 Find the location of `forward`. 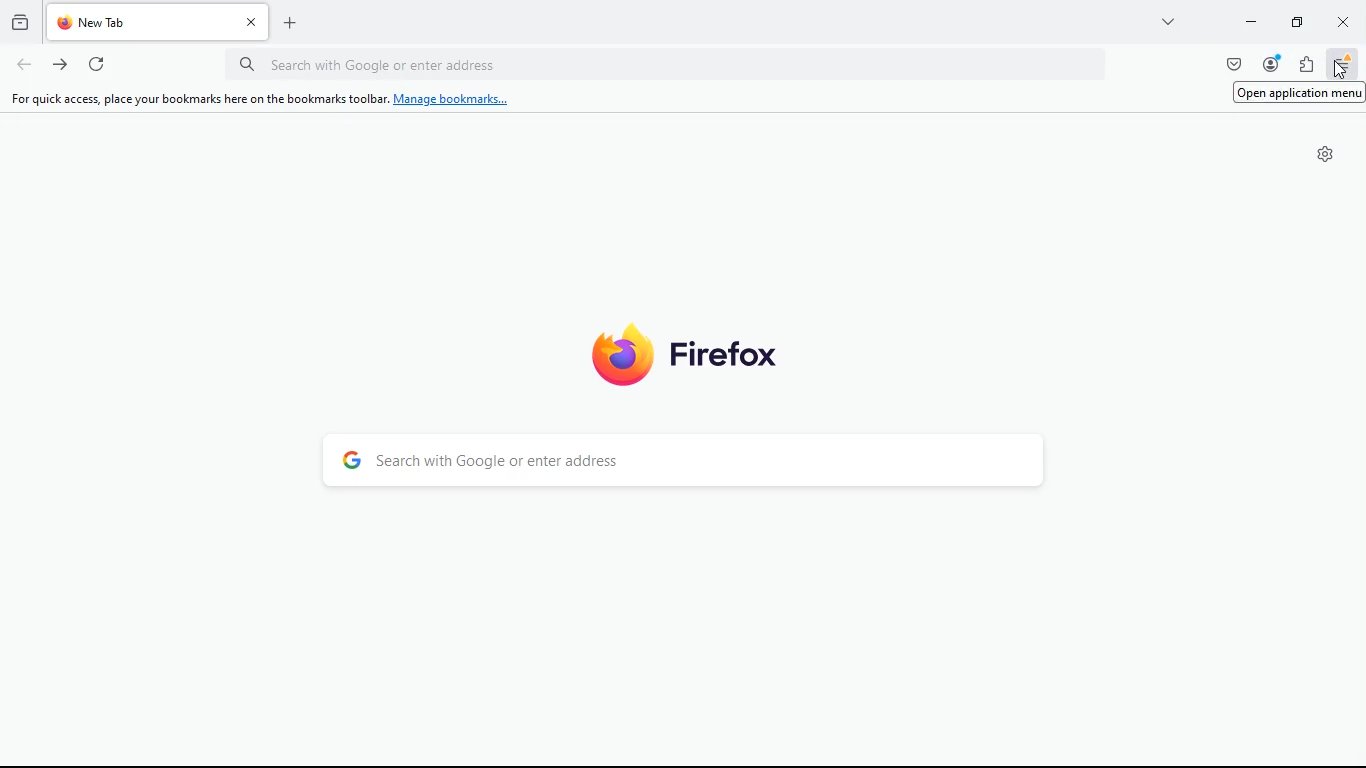

forward is located at coordinates (61, 65).